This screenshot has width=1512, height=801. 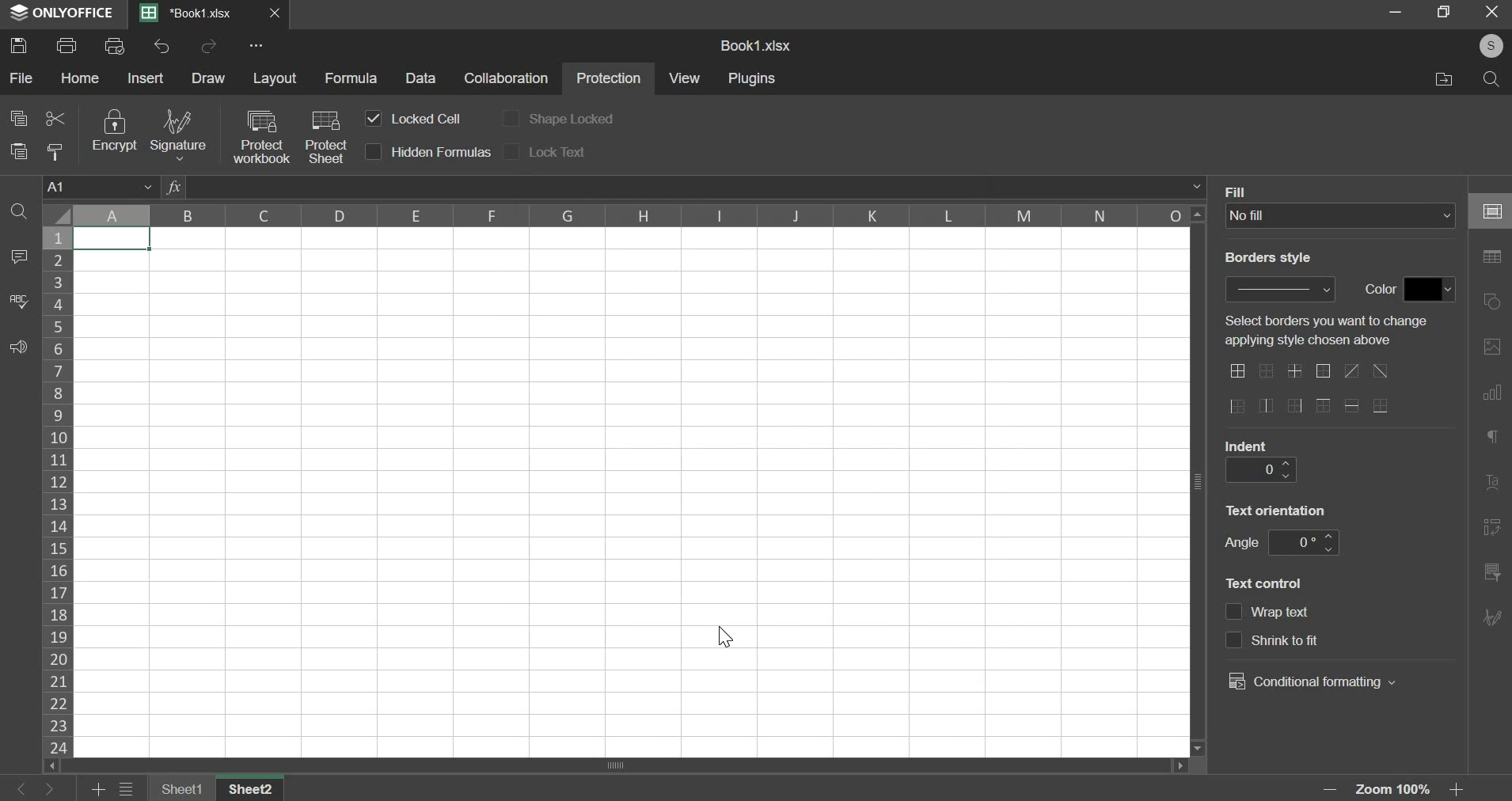 What do you see at coordinates (557, 151) in the screenshot?
I see `lock text` at bounding box center [557, 151].